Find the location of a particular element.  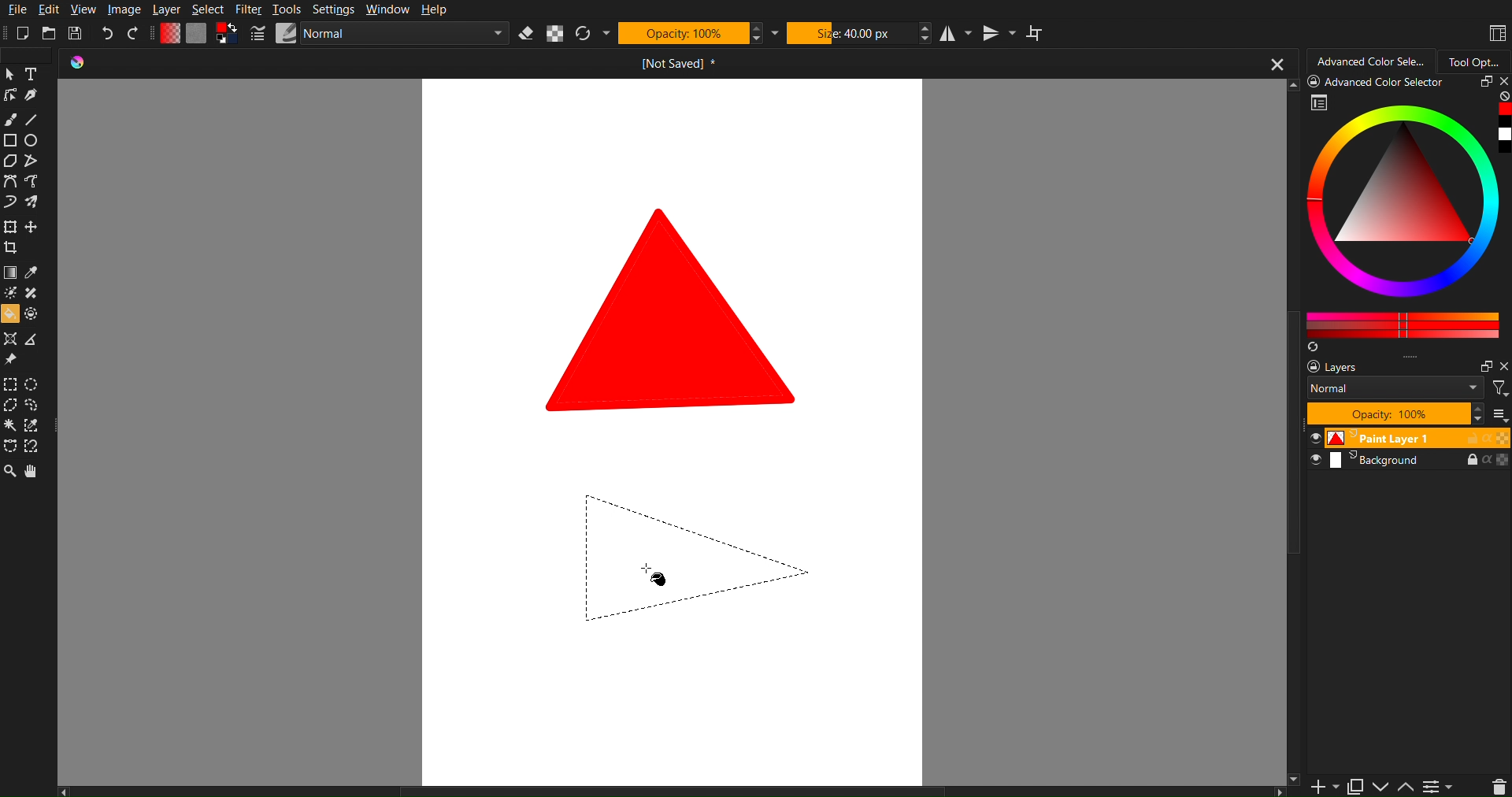

Layer Controls is located at coordinates (1499, 786).